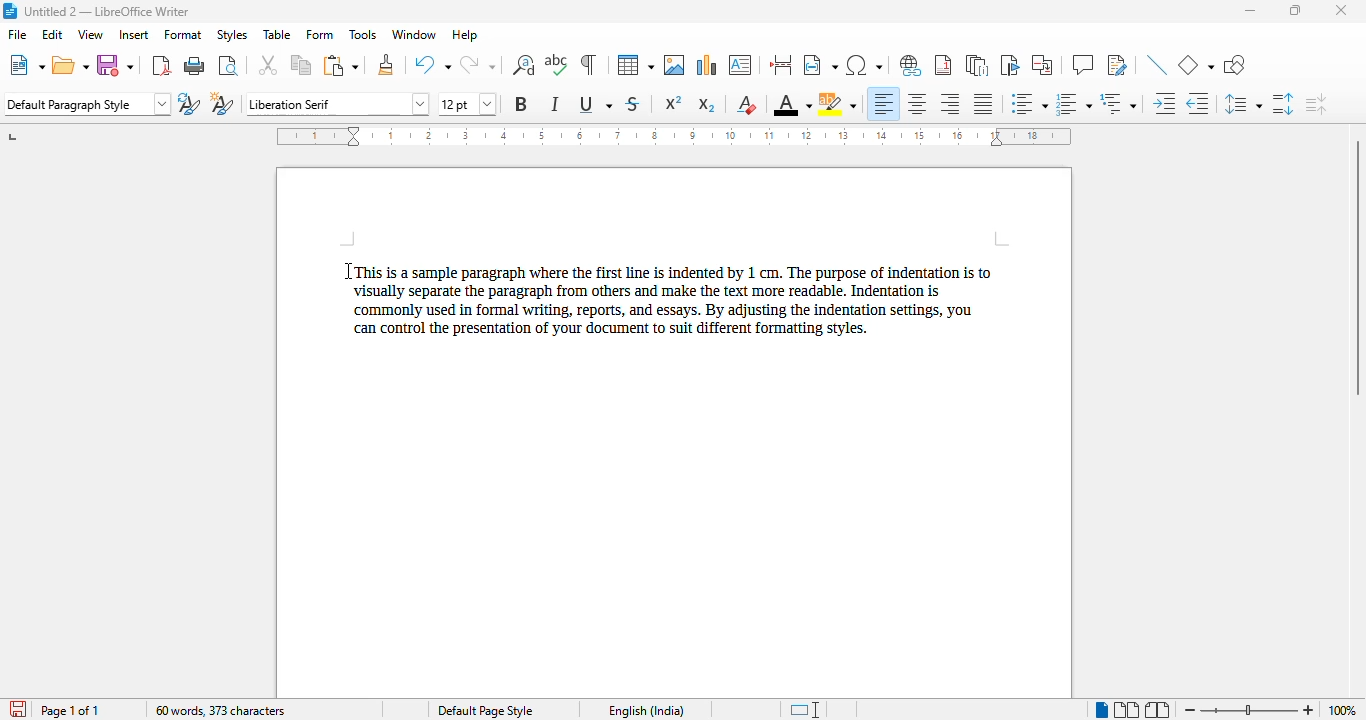 Image resolution: width=1366 pixels, height=720 pixels. Describe the element at coordinates (949, 103) in the screenshot. I see `align right` at that location.